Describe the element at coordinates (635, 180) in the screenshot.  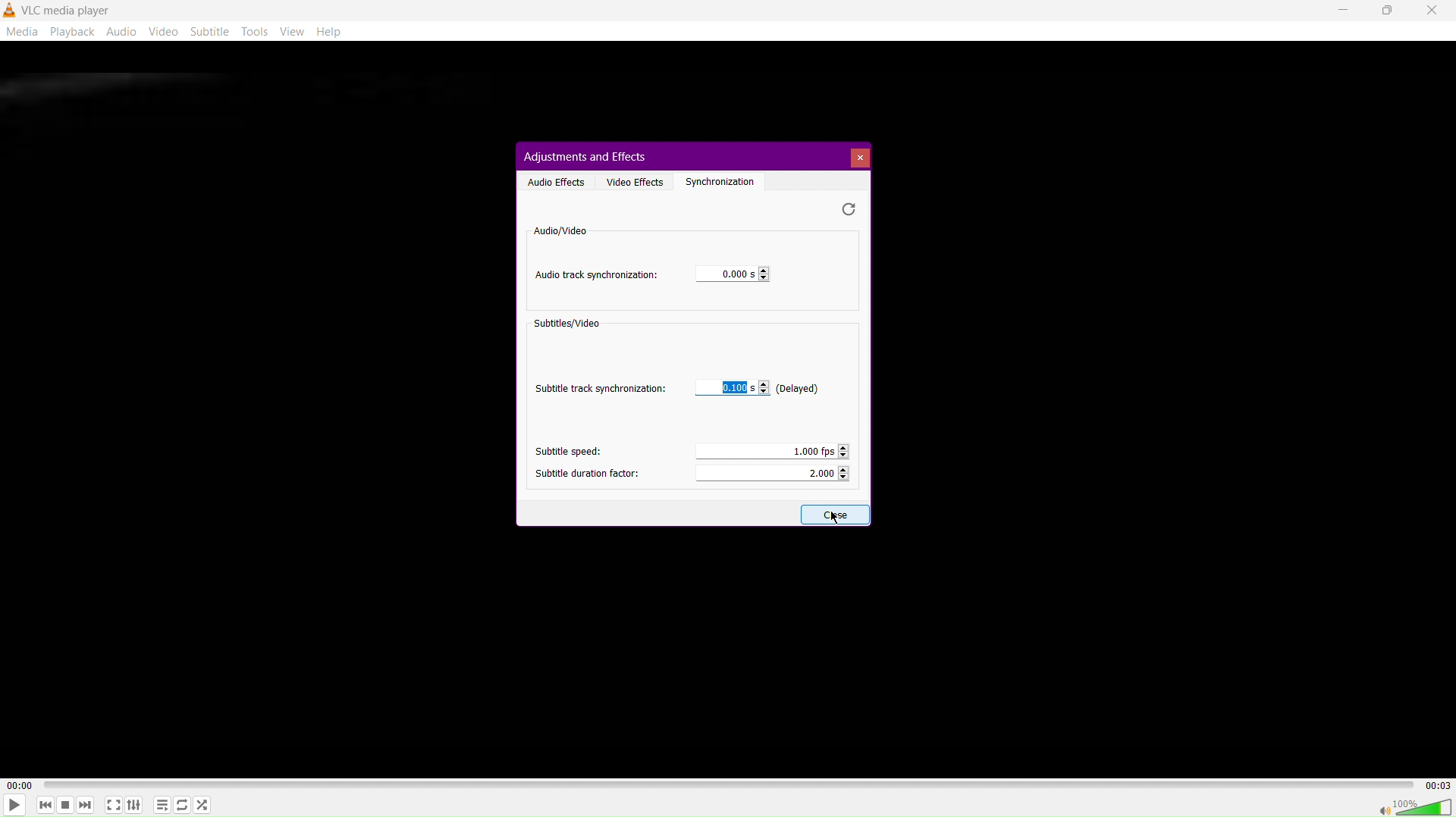
I see `Video Effects` at that location.